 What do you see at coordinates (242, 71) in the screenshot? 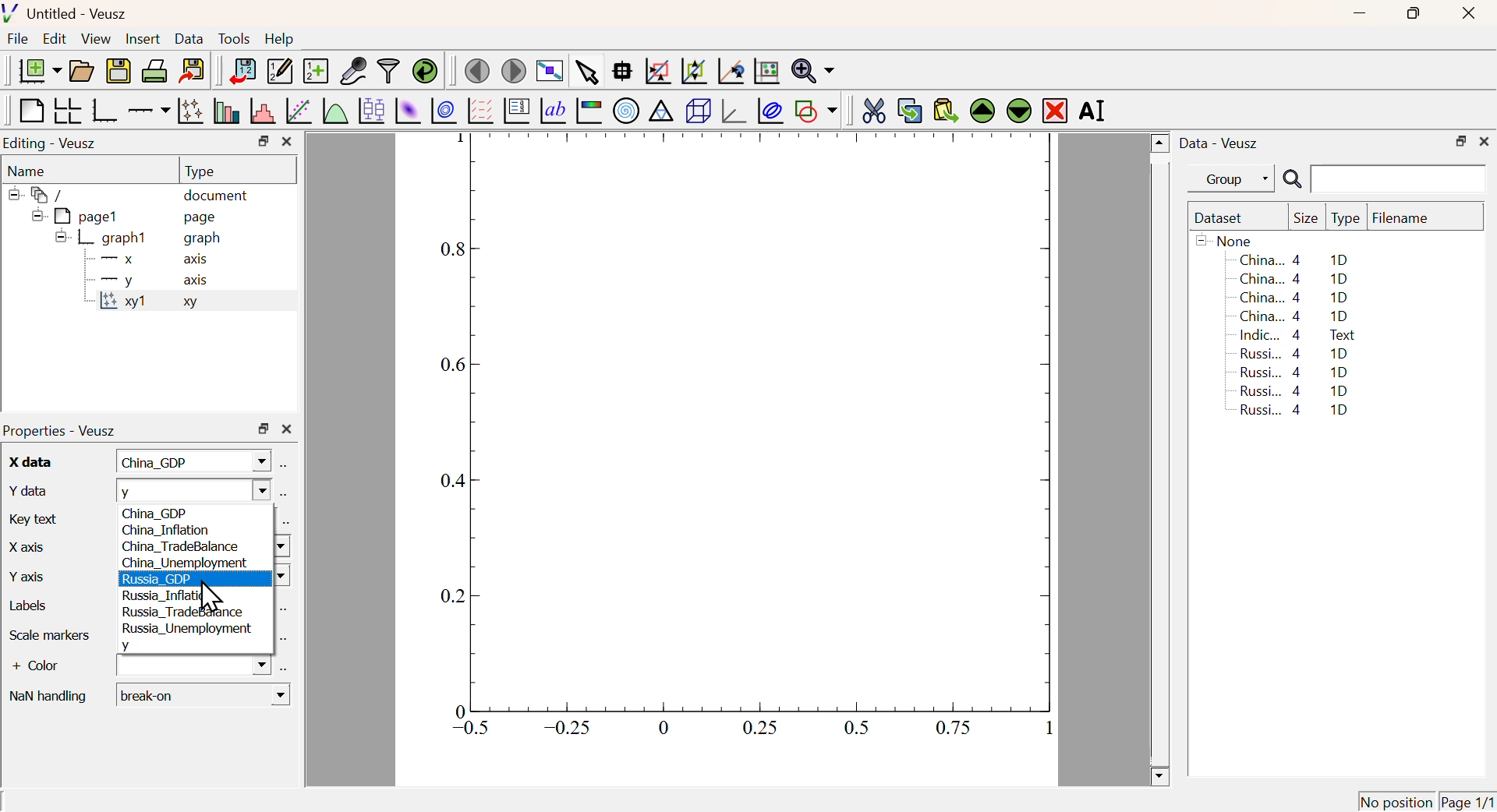
I see `Import Data` at bounding box center [242, 71].